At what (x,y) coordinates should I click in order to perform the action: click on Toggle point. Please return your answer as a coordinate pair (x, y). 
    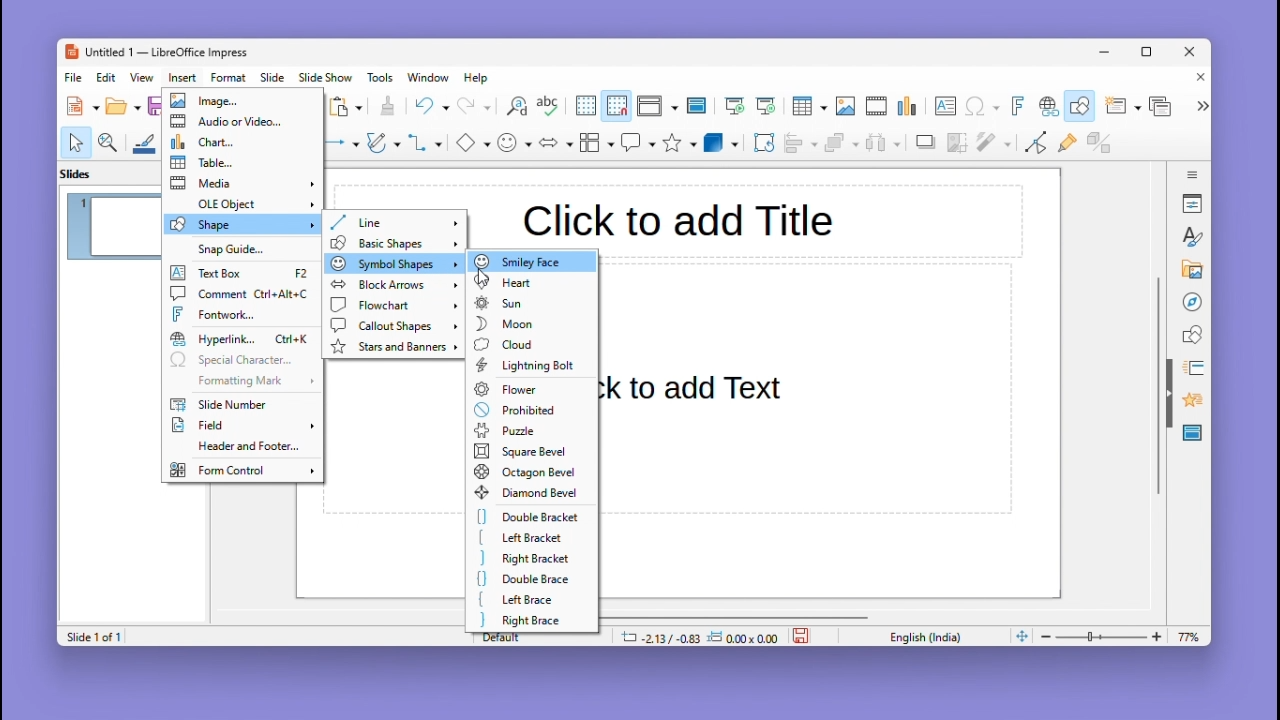
    Looking at the image, I should click on (1033, 146).